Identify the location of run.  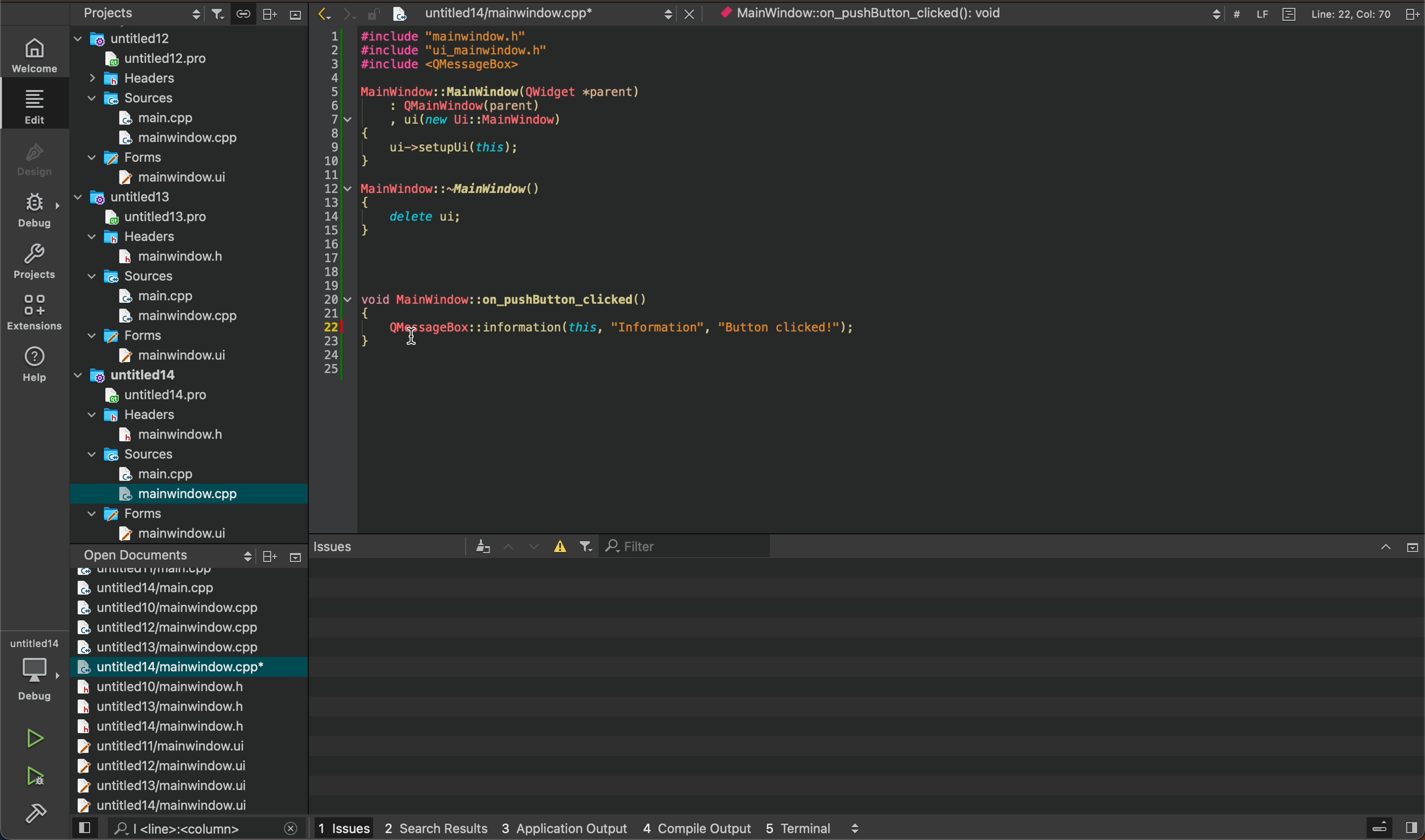
(33, 738).